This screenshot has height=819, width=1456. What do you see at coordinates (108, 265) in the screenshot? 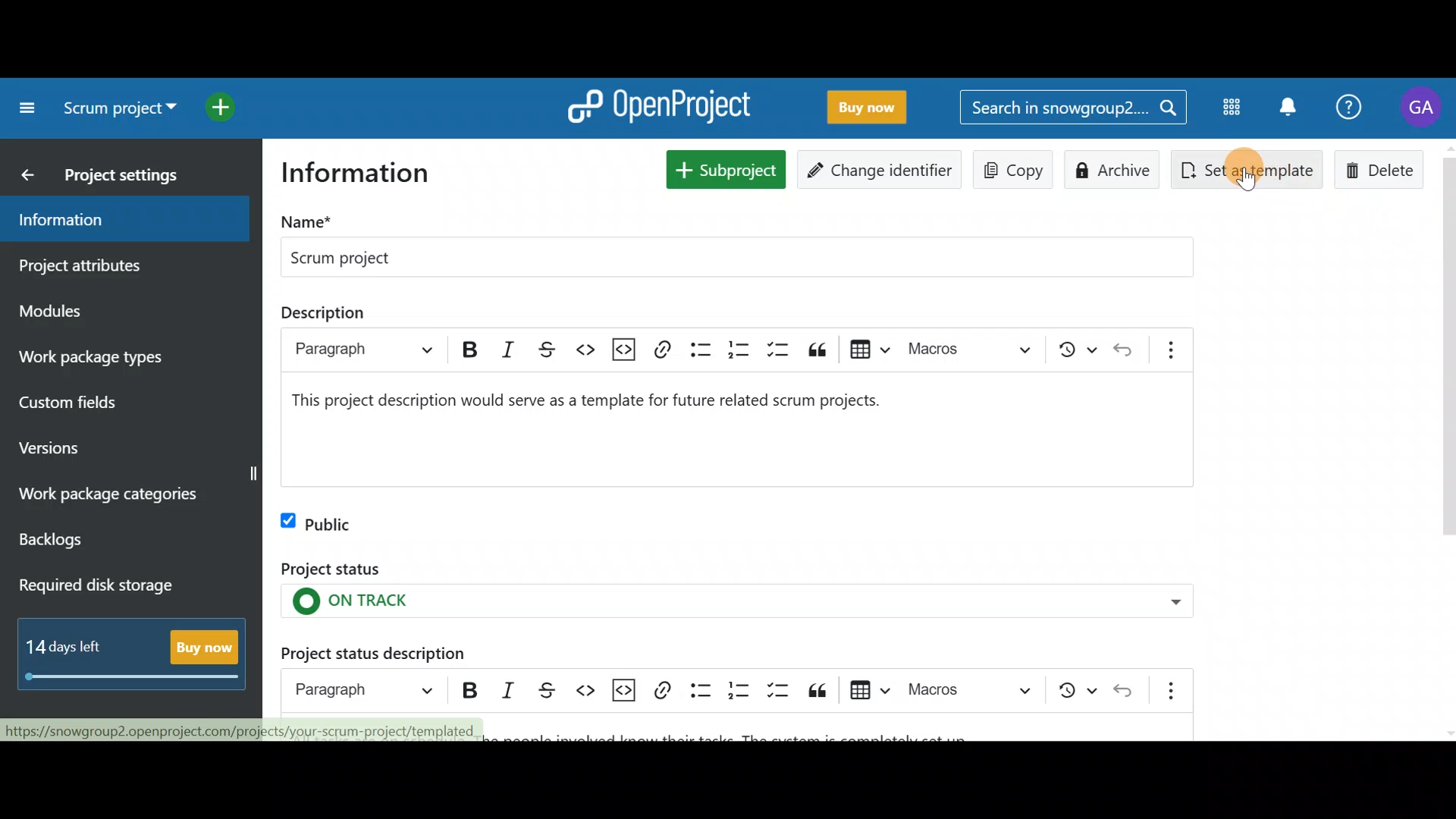
I see `Project attributes` at bounding box center [108, 265].